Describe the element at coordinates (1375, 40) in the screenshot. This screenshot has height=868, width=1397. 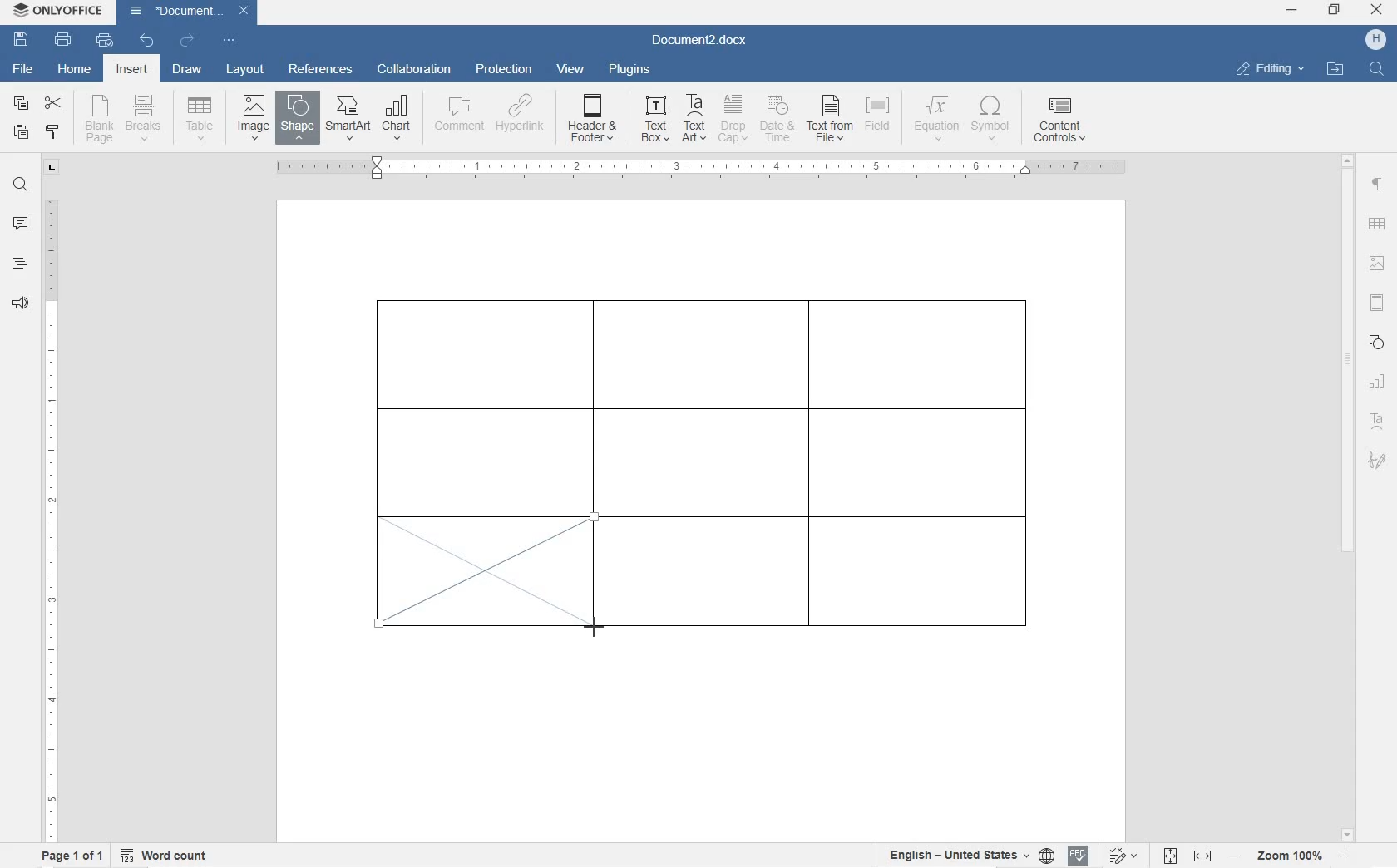
I see `HP` at that location.